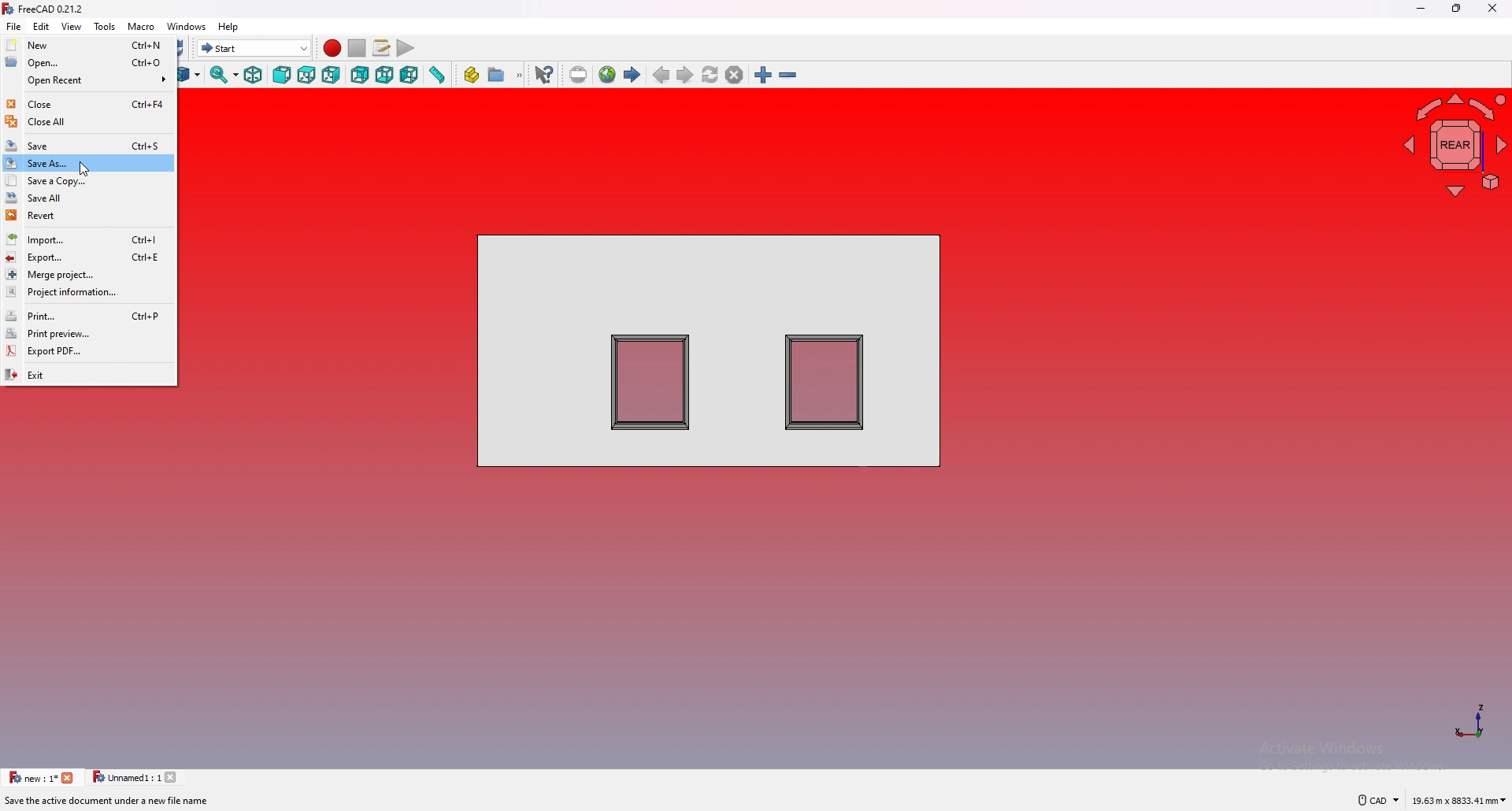  Describe the element at coordinates (1458, 801) in the screenshot. I see `dimensions` at that location.